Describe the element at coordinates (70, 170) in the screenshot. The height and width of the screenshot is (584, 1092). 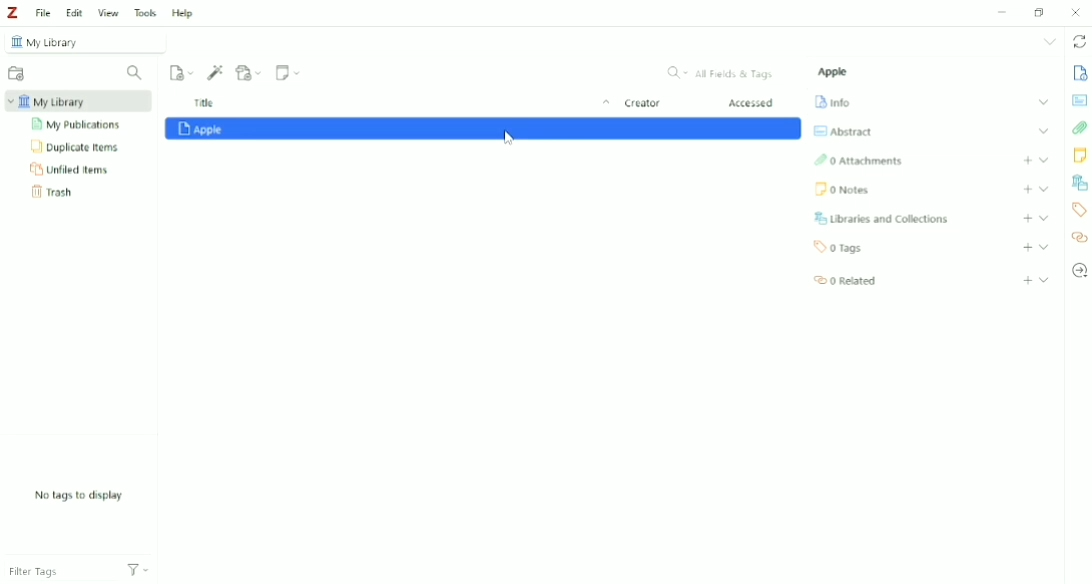
I see `Unfiled Items` at that location.